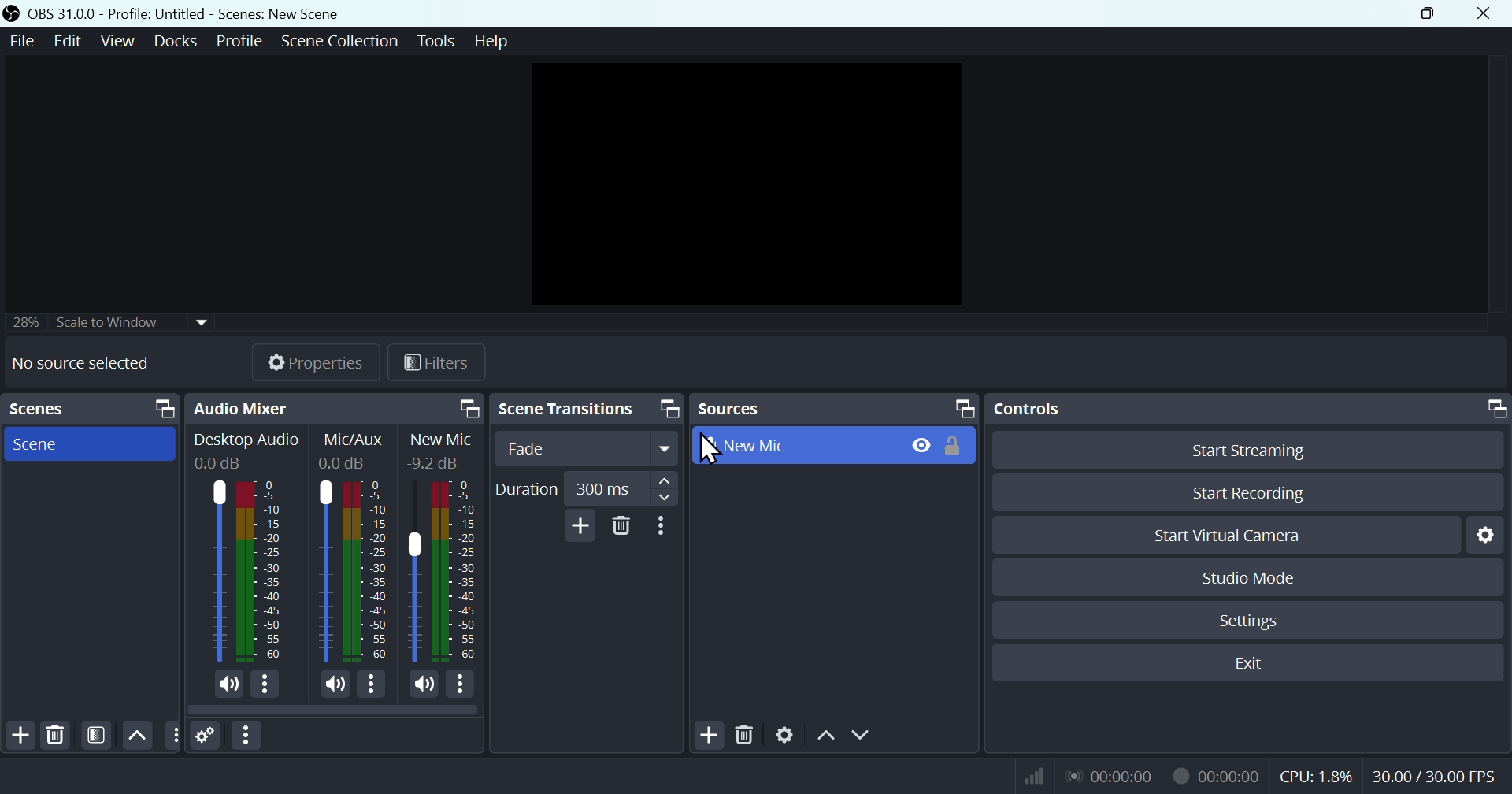 The width and height of the screenshot is (1512, 794). Describe the element at coordinates (18, 43) in the screenshot. I see `File ` at that location.